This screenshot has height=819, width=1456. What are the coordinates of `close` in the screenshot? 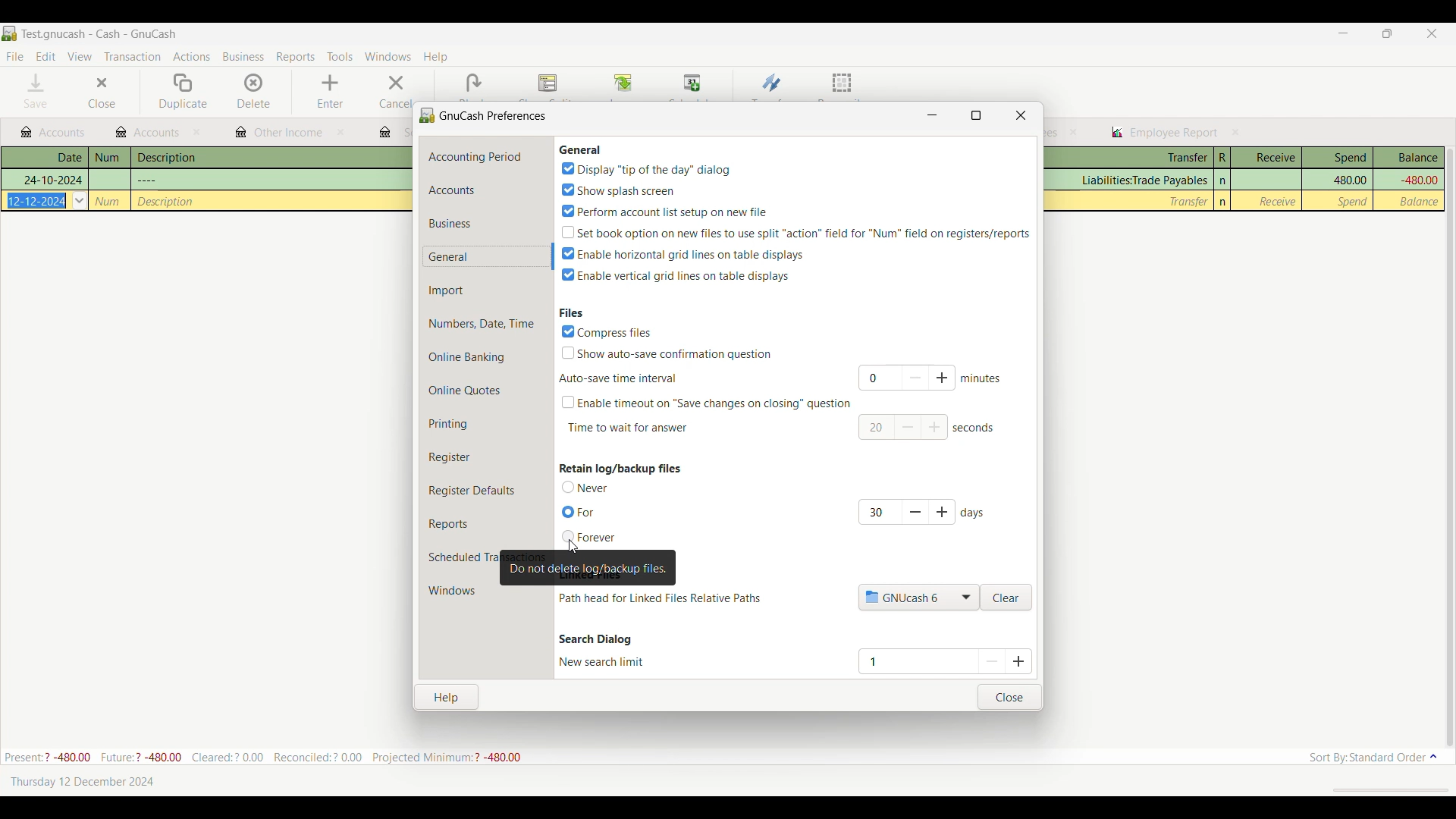 It's located at (1074, 132).